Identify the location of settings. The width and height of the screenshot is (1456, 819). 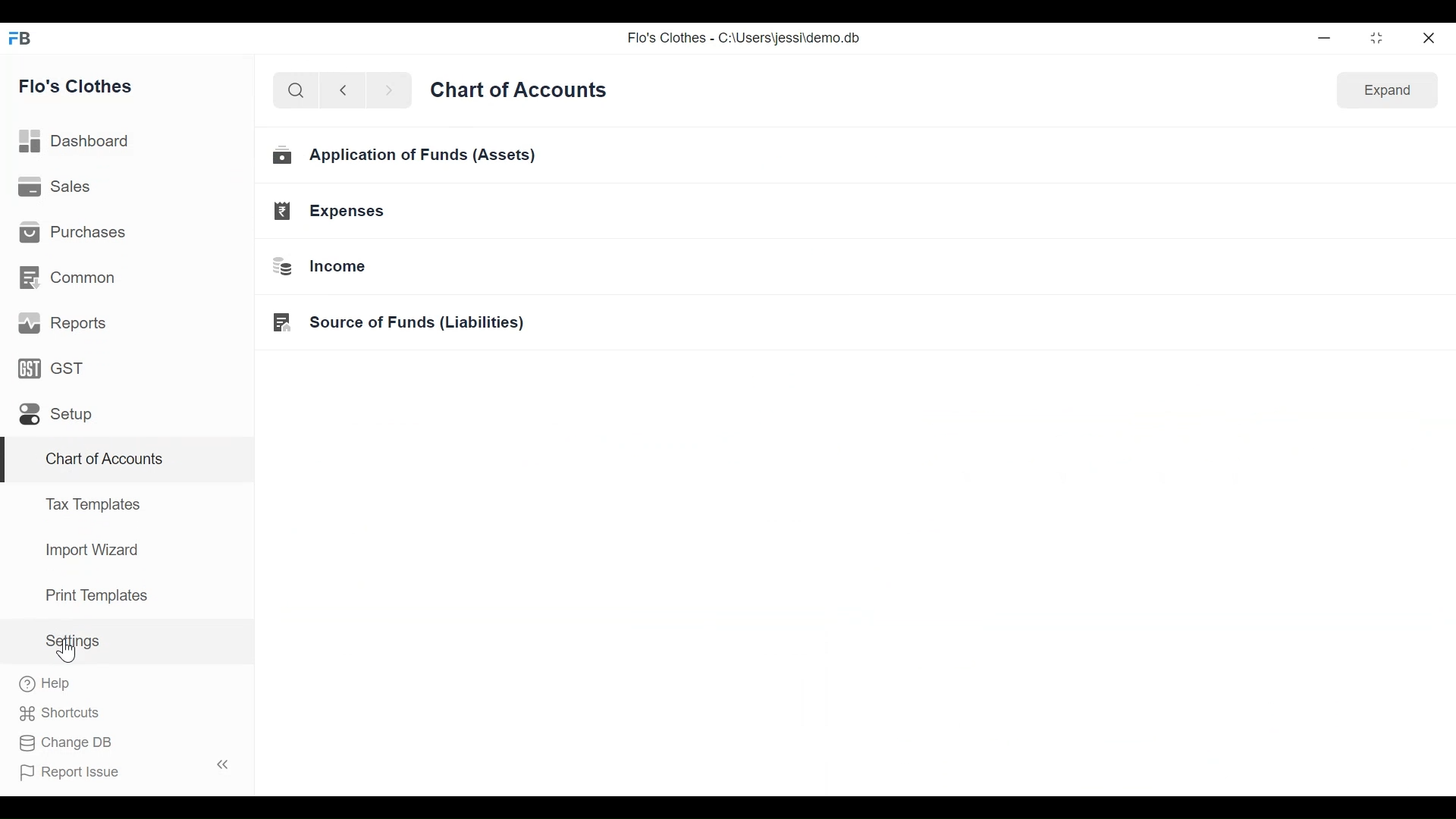
(71, 641).